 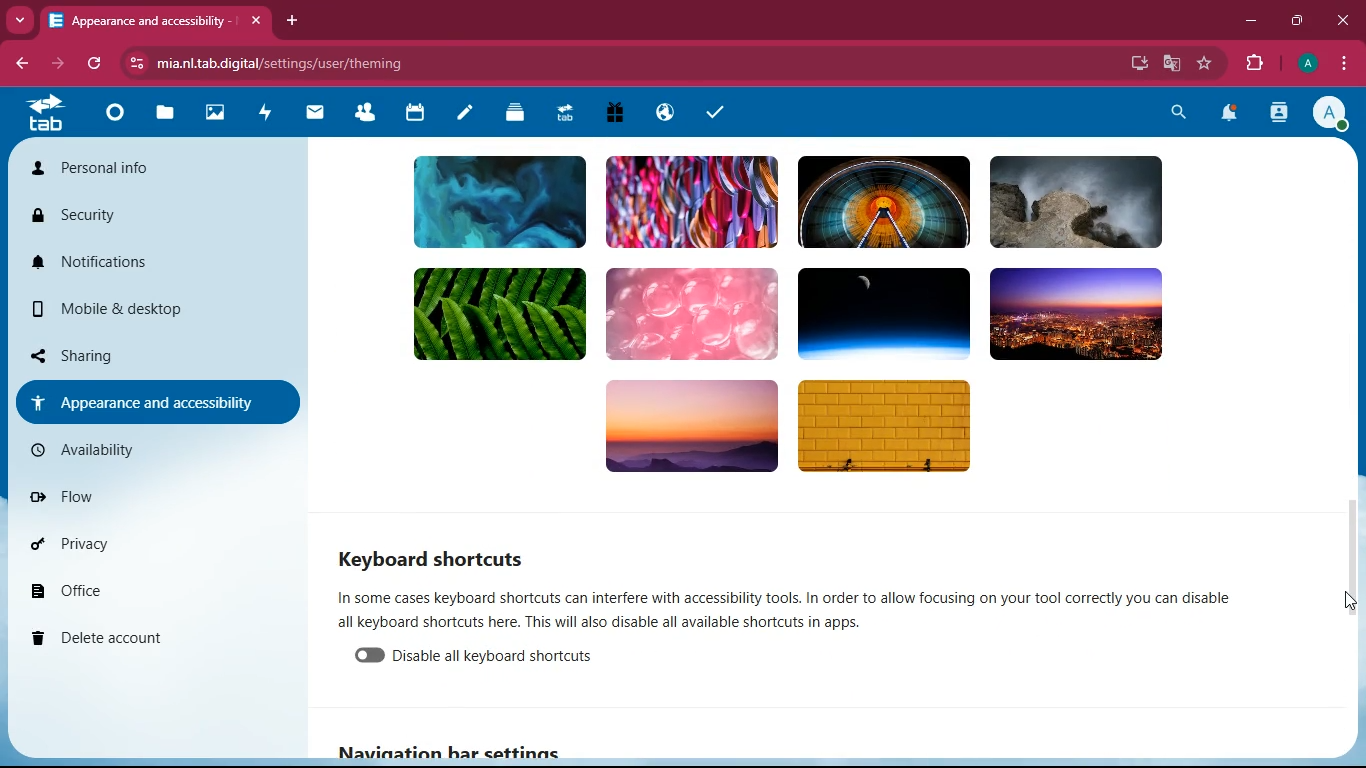 What do you see at coordinates (1303, 63) in the screenshot?
I see `profile` at bounding box center [1303, 63].